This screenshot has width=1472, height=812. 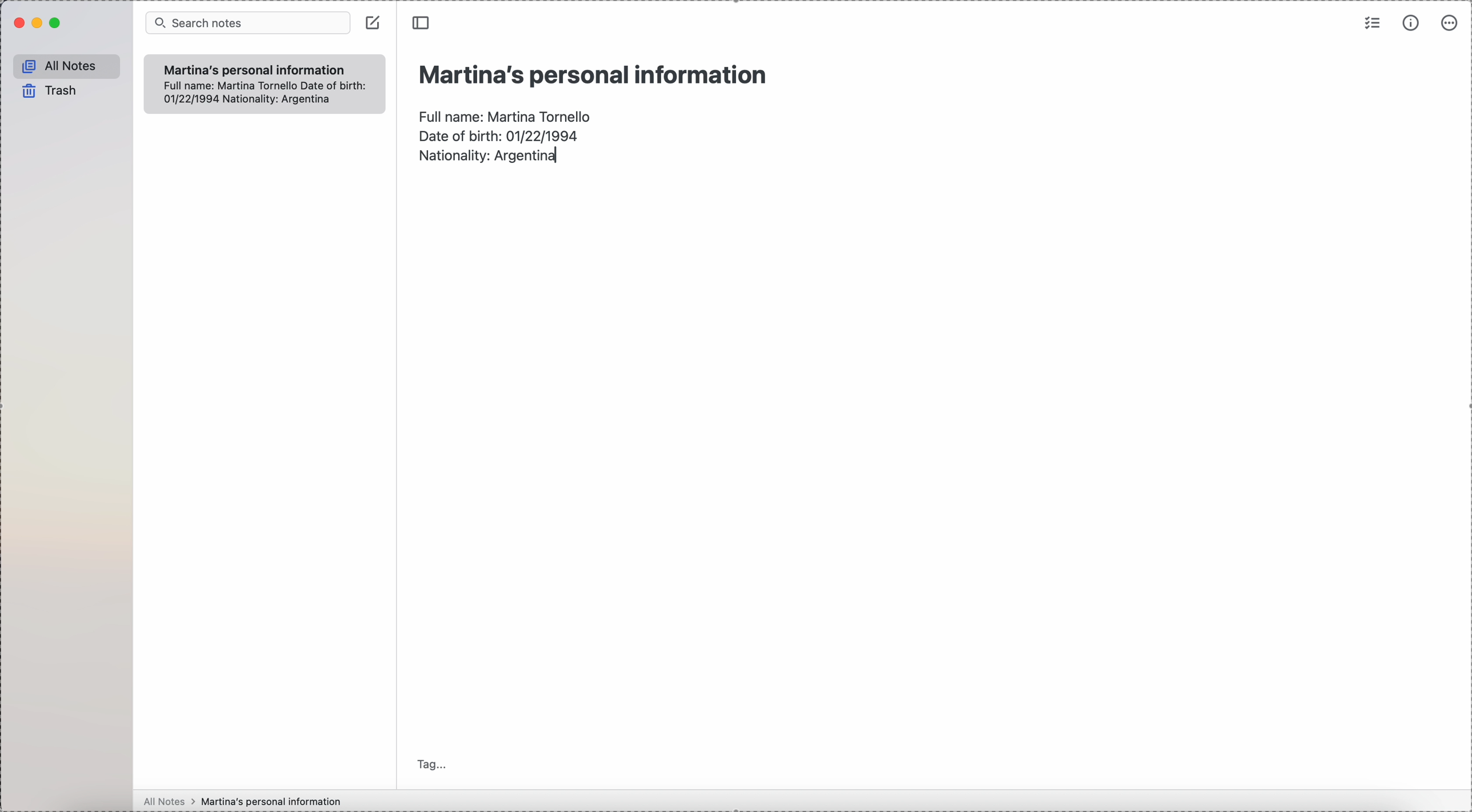 I want to click on tag, so click(x=431, y=764).